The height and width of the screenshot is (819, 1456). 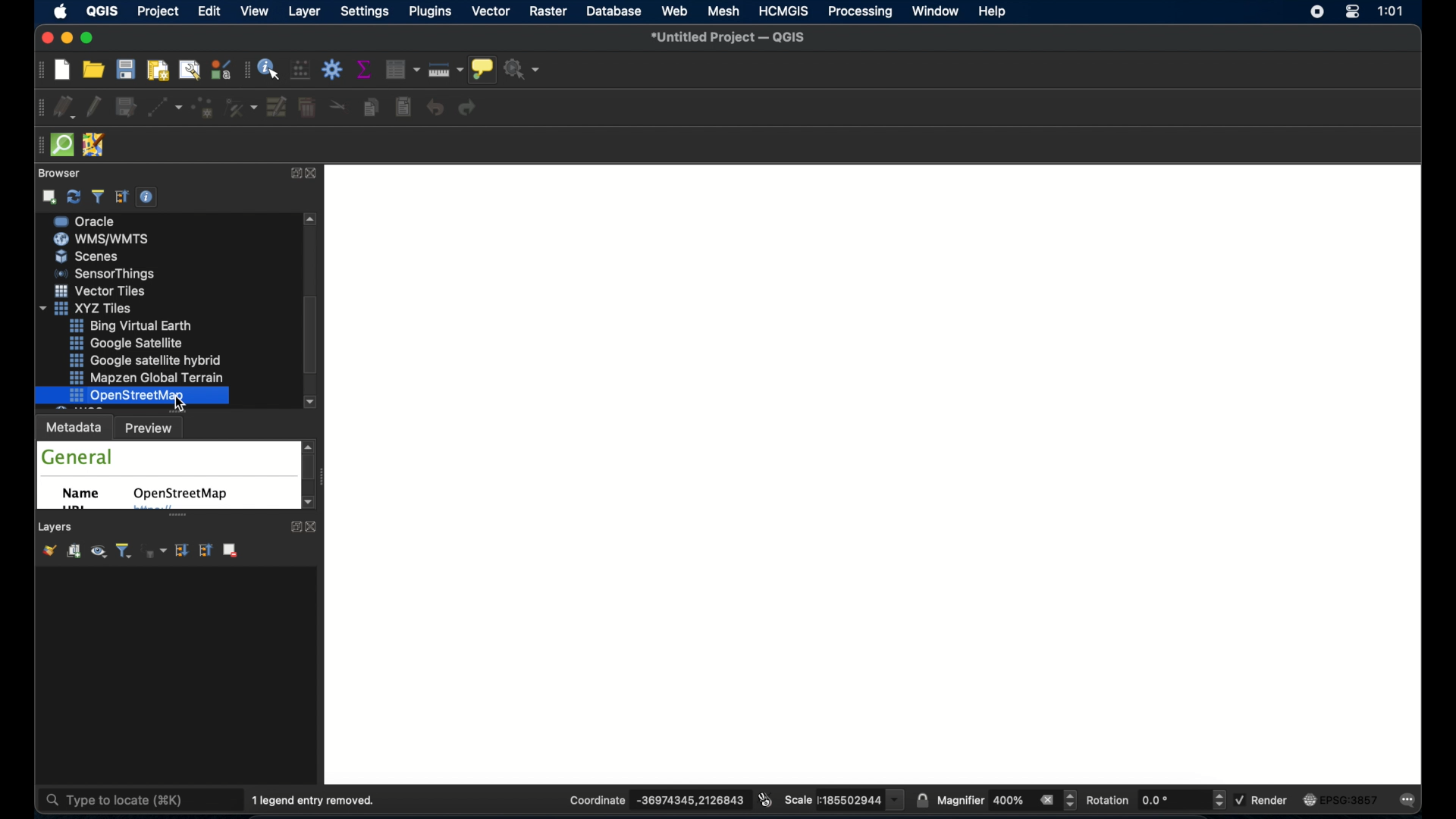 What do you see at coordinates (765, 799) in the screenshot?
I see `toggle extents and mouse position display` at bounding box center [765, 799].